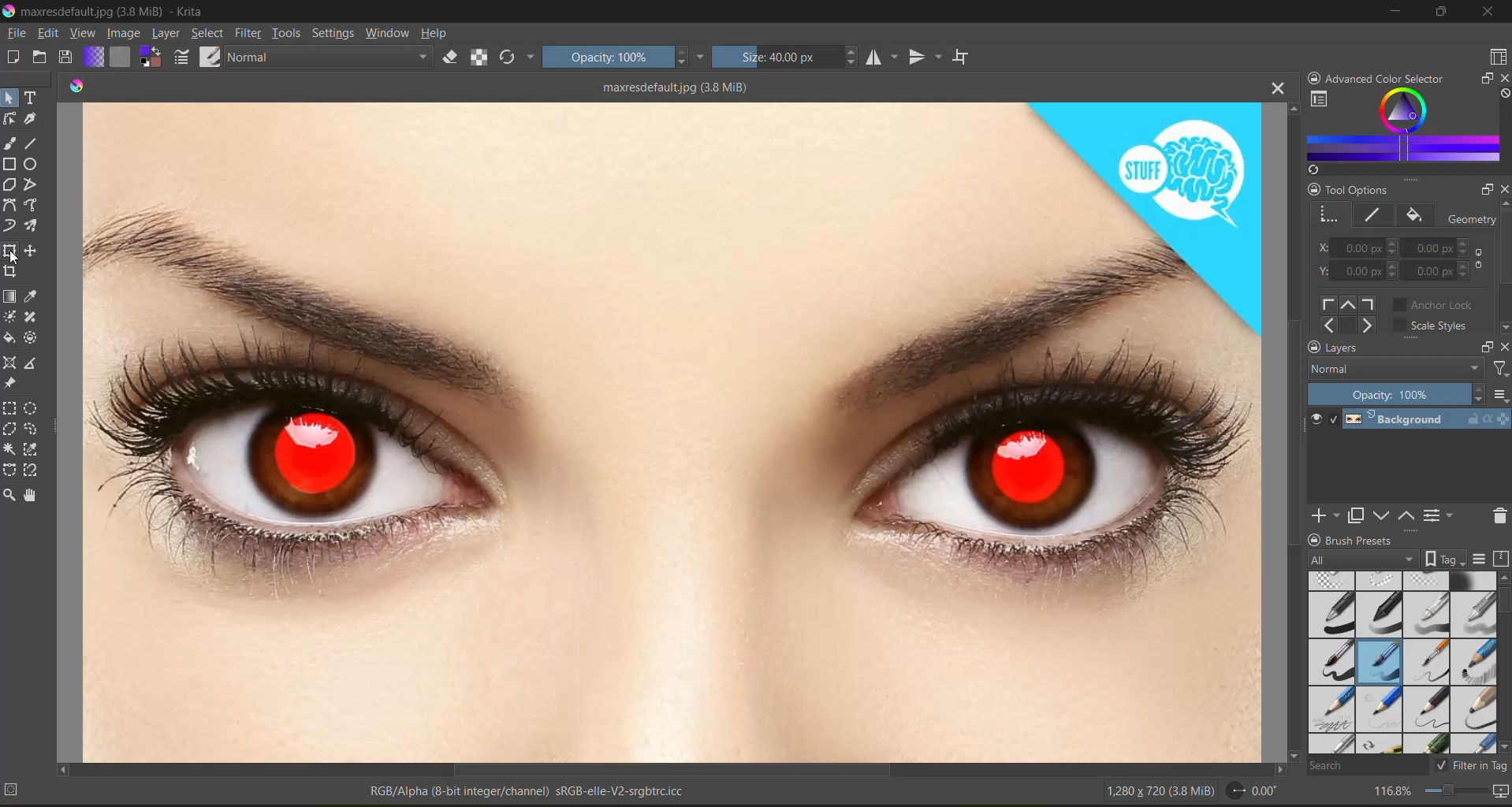 This screenshot has width=1512, height=807. Describe the element at coordinates (1324, 516) in the screenshot. I see `add` at that location.